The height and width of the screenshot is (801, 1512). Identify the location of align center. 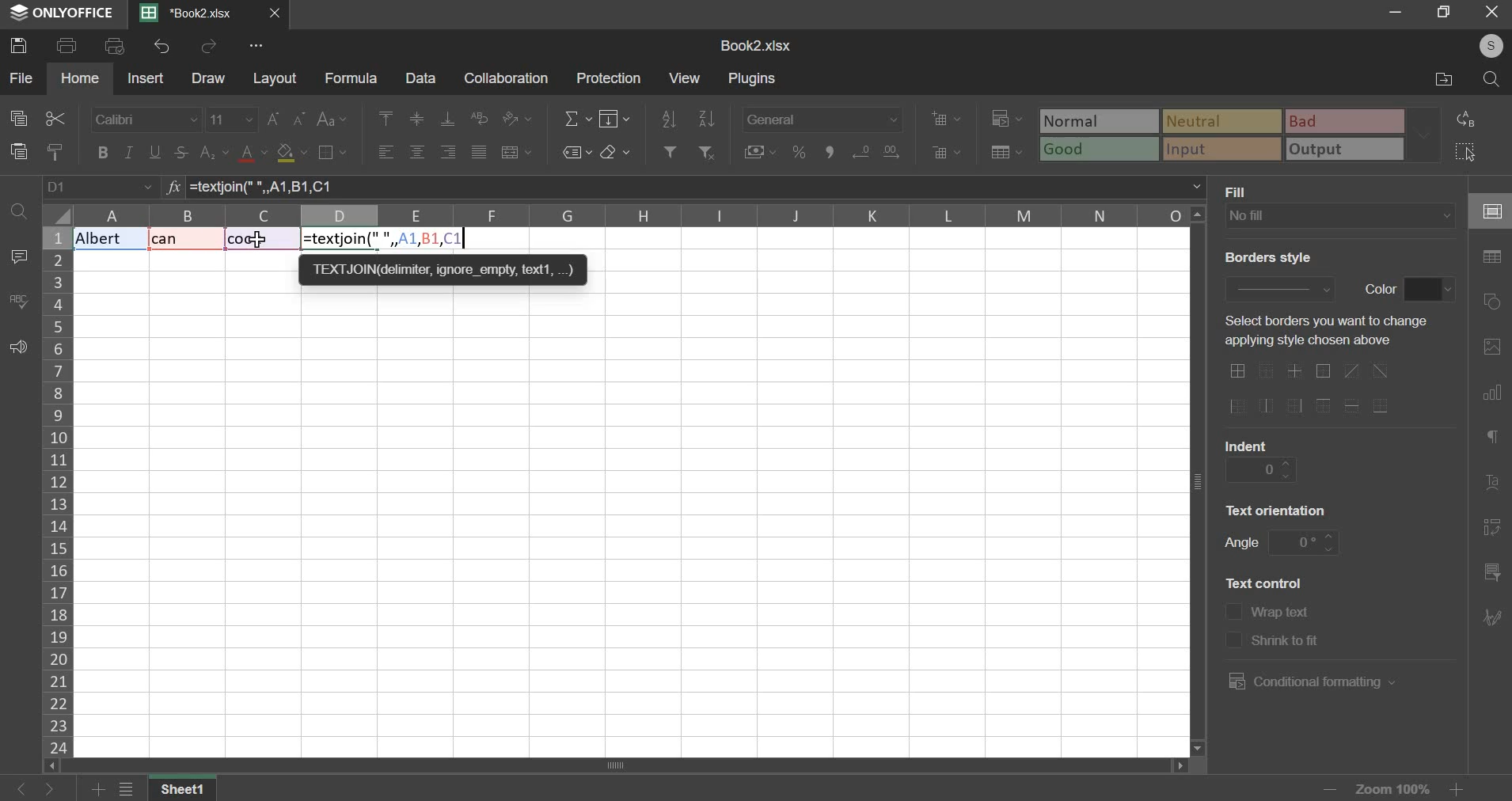
(417, 153).